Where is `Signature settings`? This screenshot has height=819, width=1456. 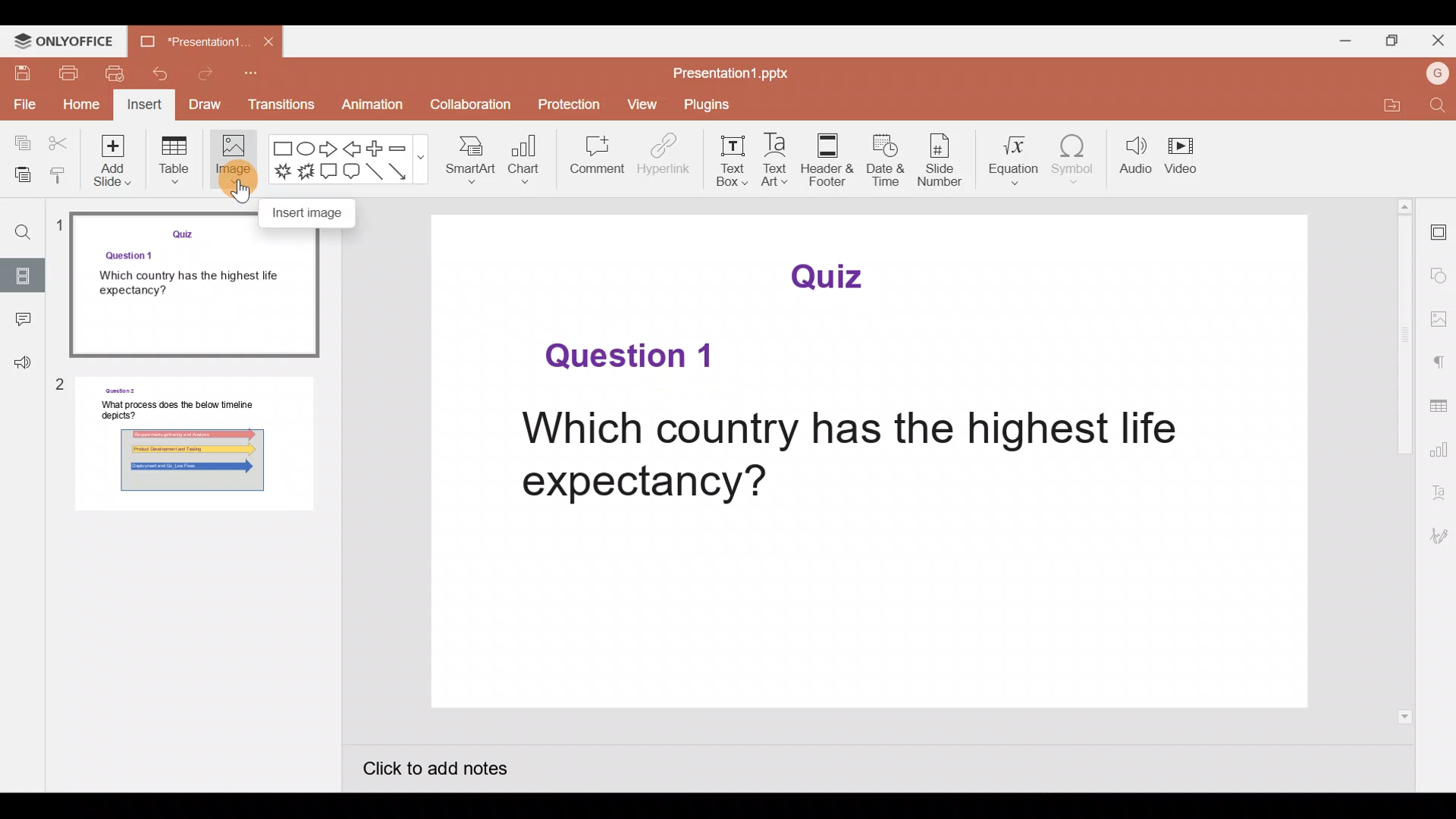 Signature settings is located at coordinates (1439, 536).